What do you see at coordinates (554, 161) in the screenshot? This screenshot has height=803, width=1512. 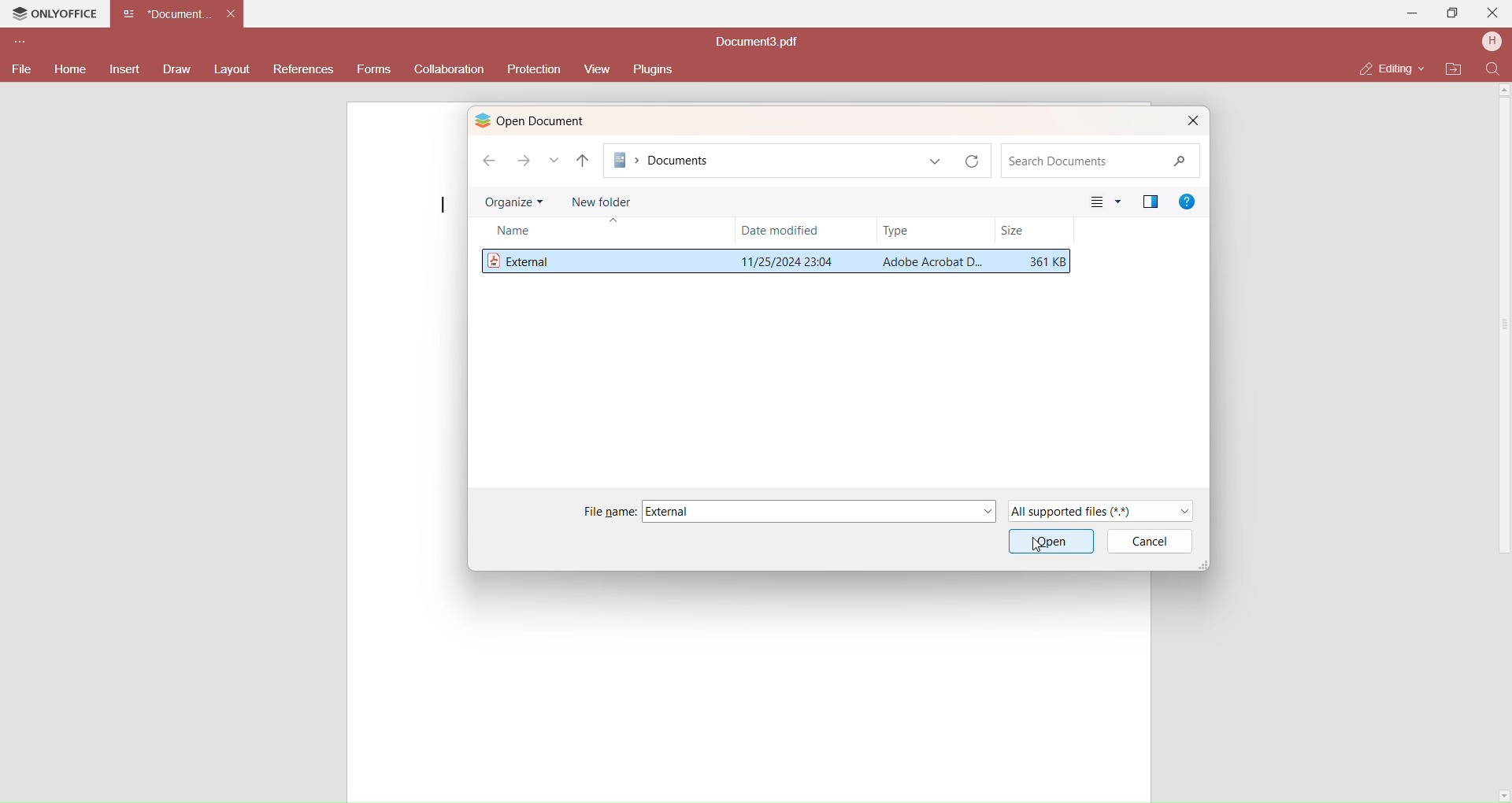 I see `recent locations` at bounding box center [554, 161].